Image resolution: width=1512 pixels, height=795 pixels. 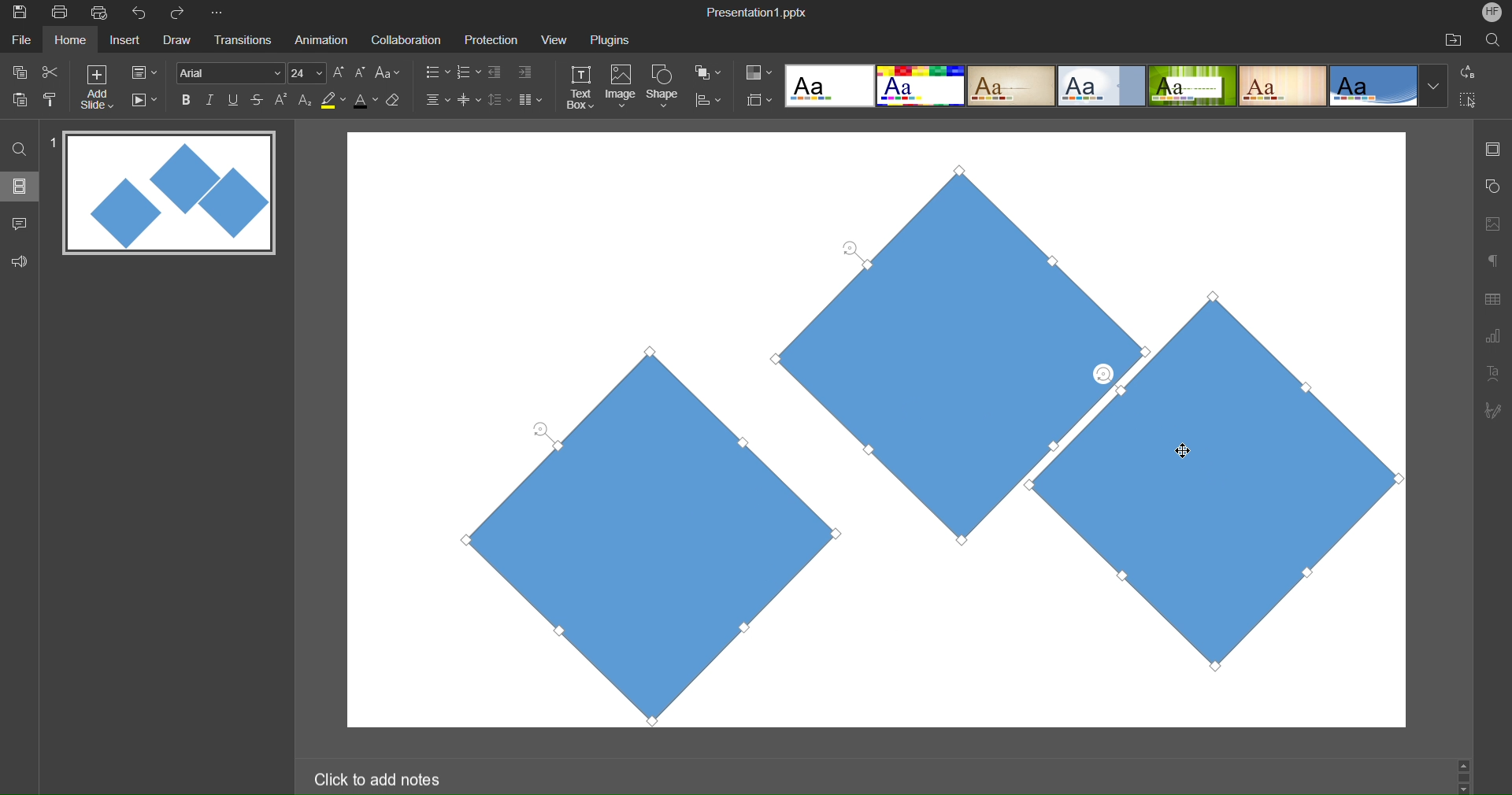 I want to click on cursor, so click(x=1185, y=447).